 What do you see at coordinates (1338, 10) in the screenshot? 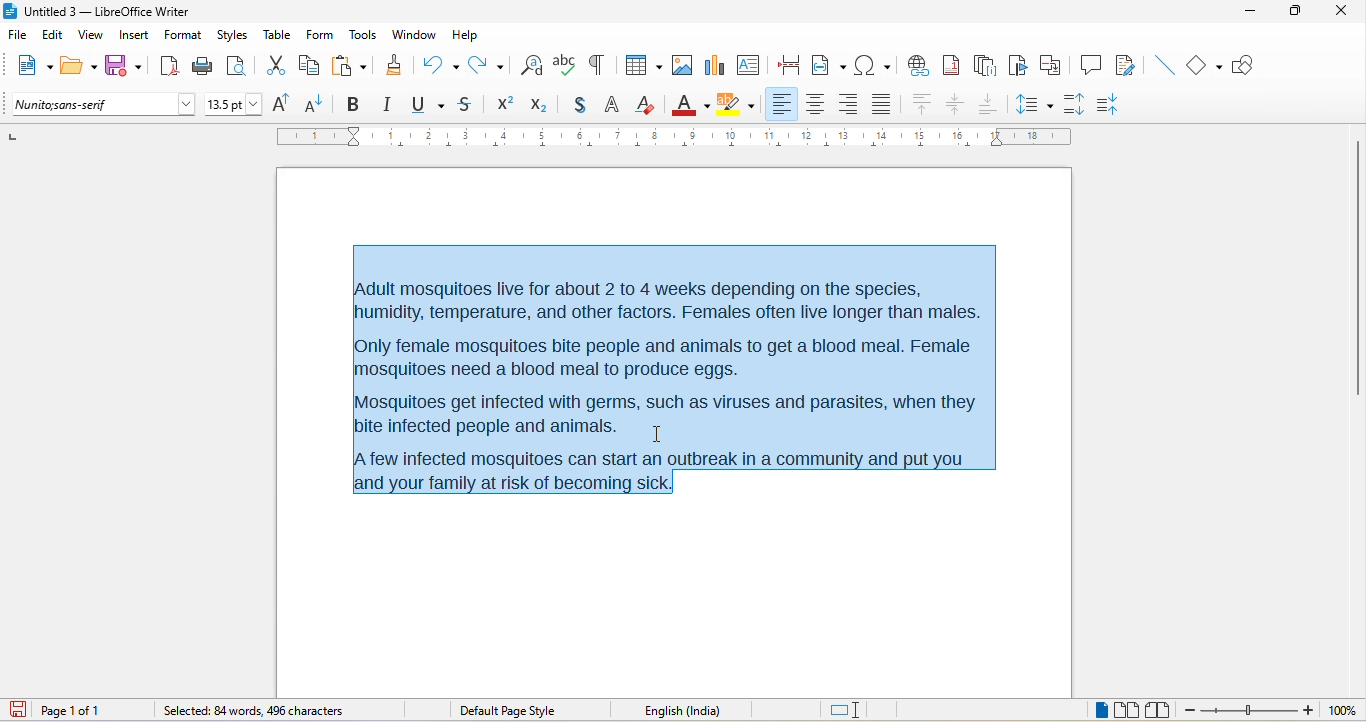
I see `close` at bounding box center [1338, 10].